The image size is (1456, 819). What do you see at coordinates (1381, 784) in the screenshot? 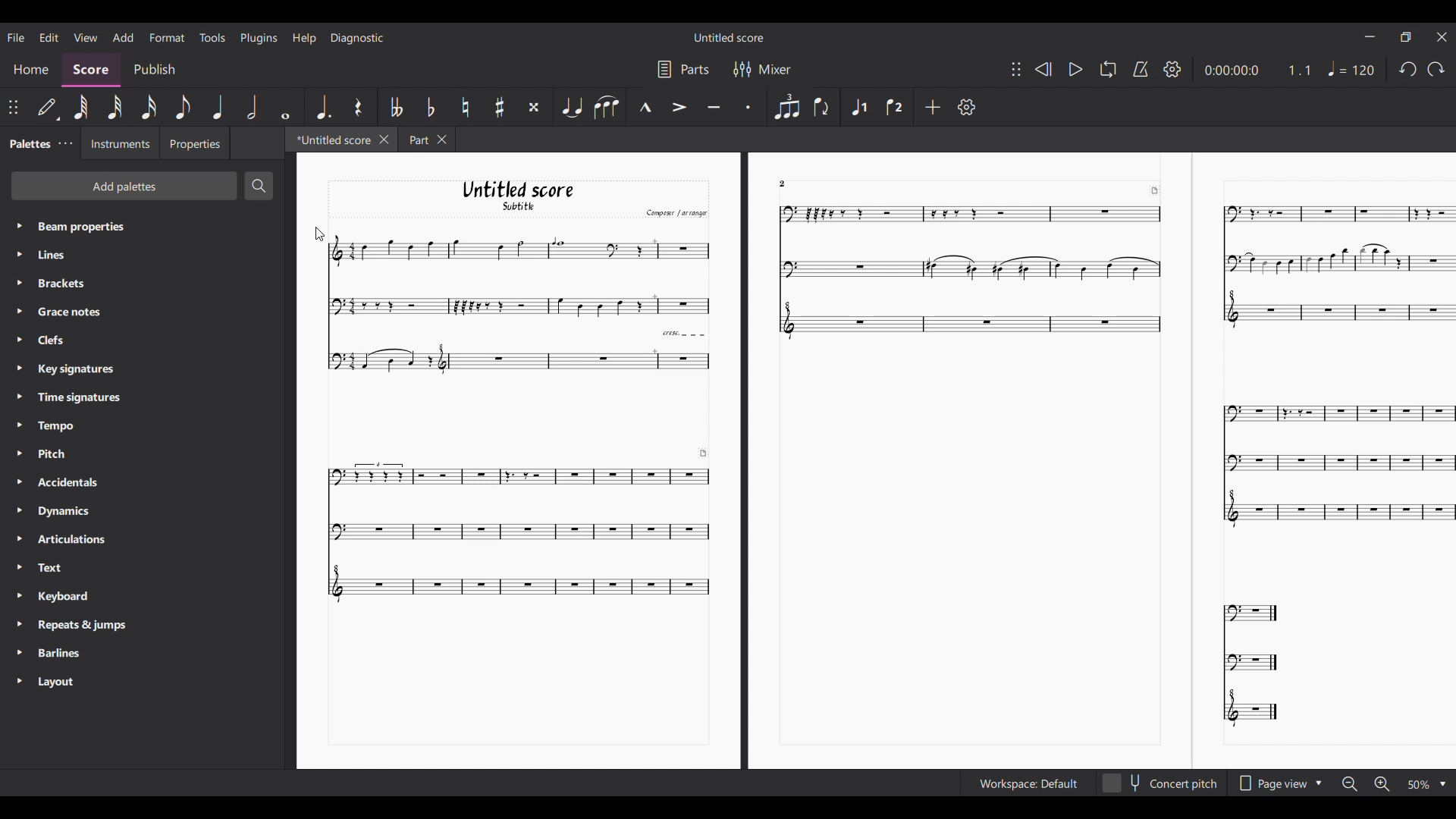
I see `Zoom in` at bounding box center [1381, 784].